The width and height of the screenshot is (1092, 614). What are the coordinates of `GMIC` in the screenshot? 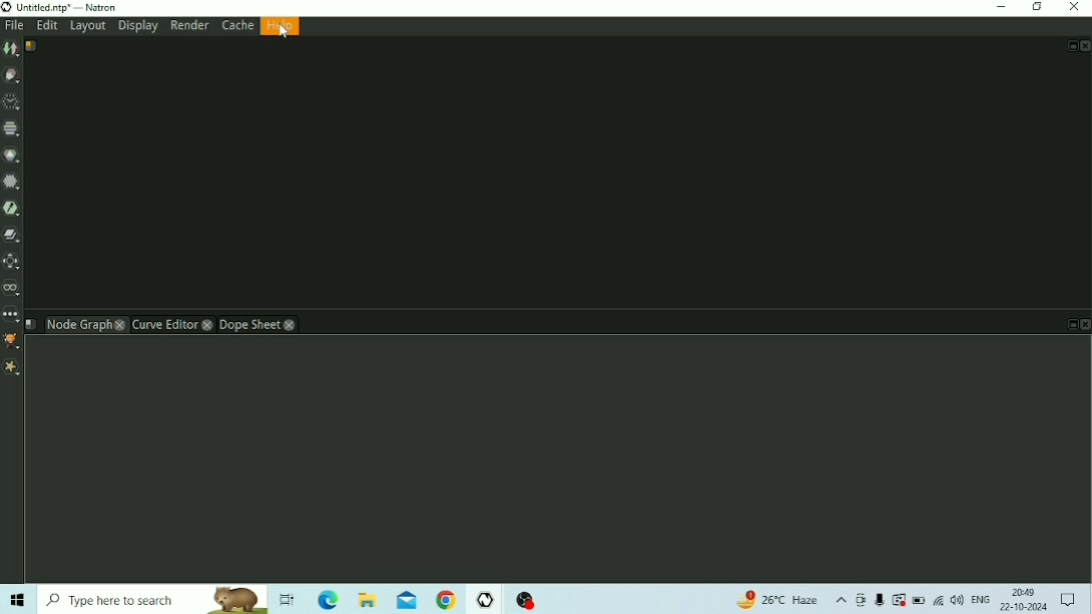 It's located at (11, 341).